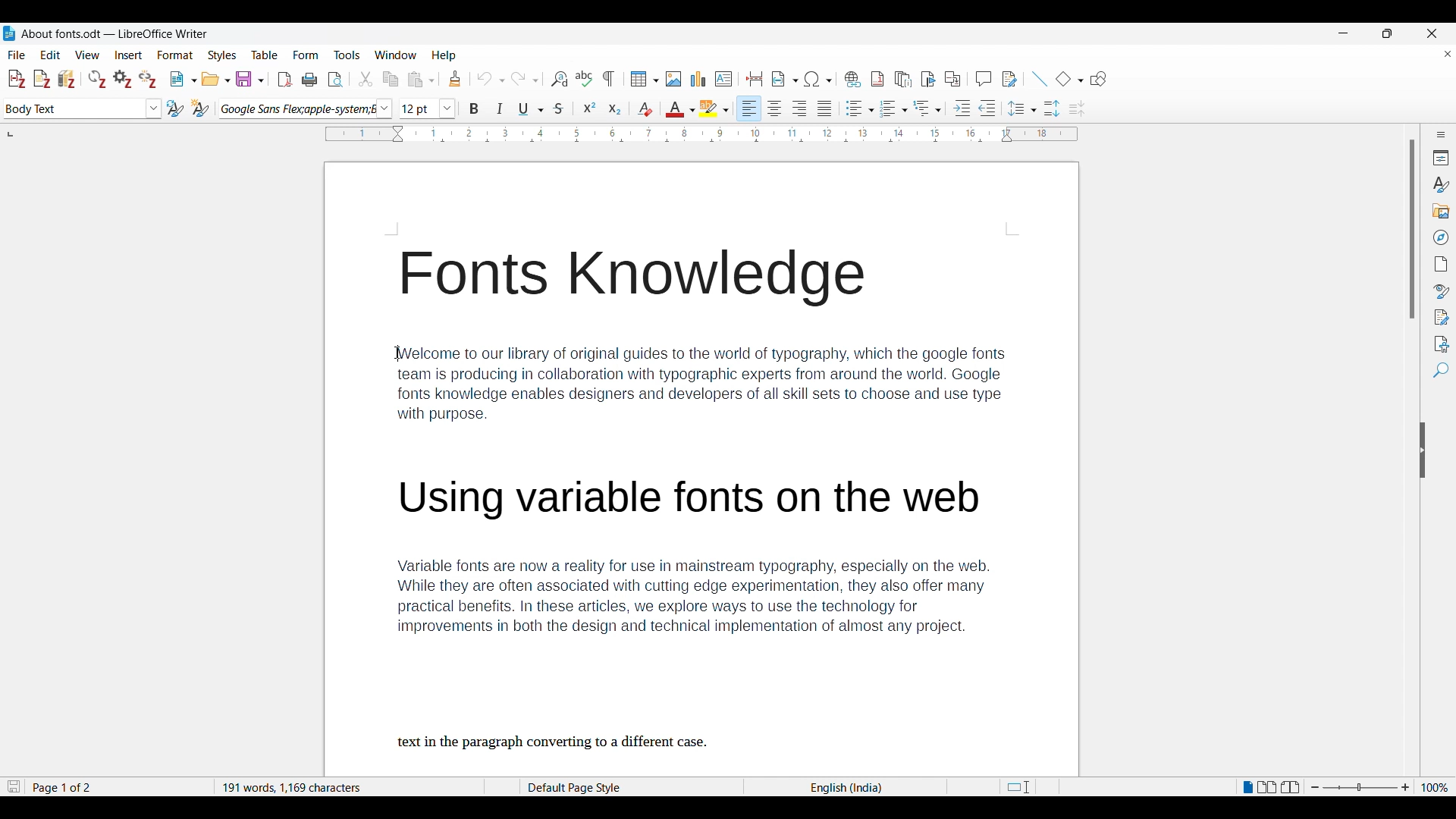 The image size is (1456, 819). What do you see at coordinates (67, 80) in the screenshot?
I see `Add/Edit bibliography` at bounding box center [67, 80].